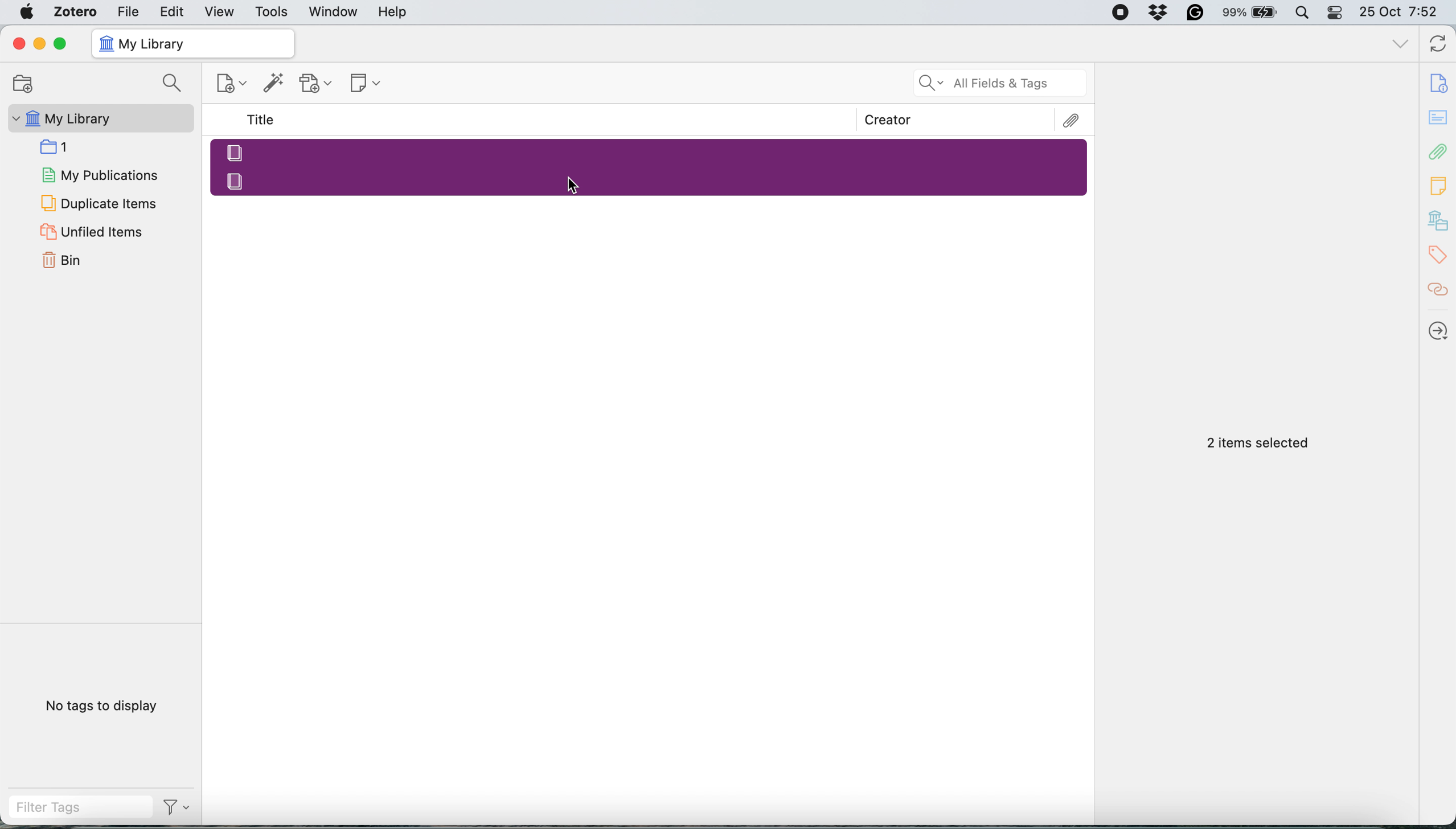 This screenshot has width=1456, height=829. What do you see at coordinates (1001, 83) in the screenshot?
I see `All Fields & Tags` at bounding box center [1001, 83].